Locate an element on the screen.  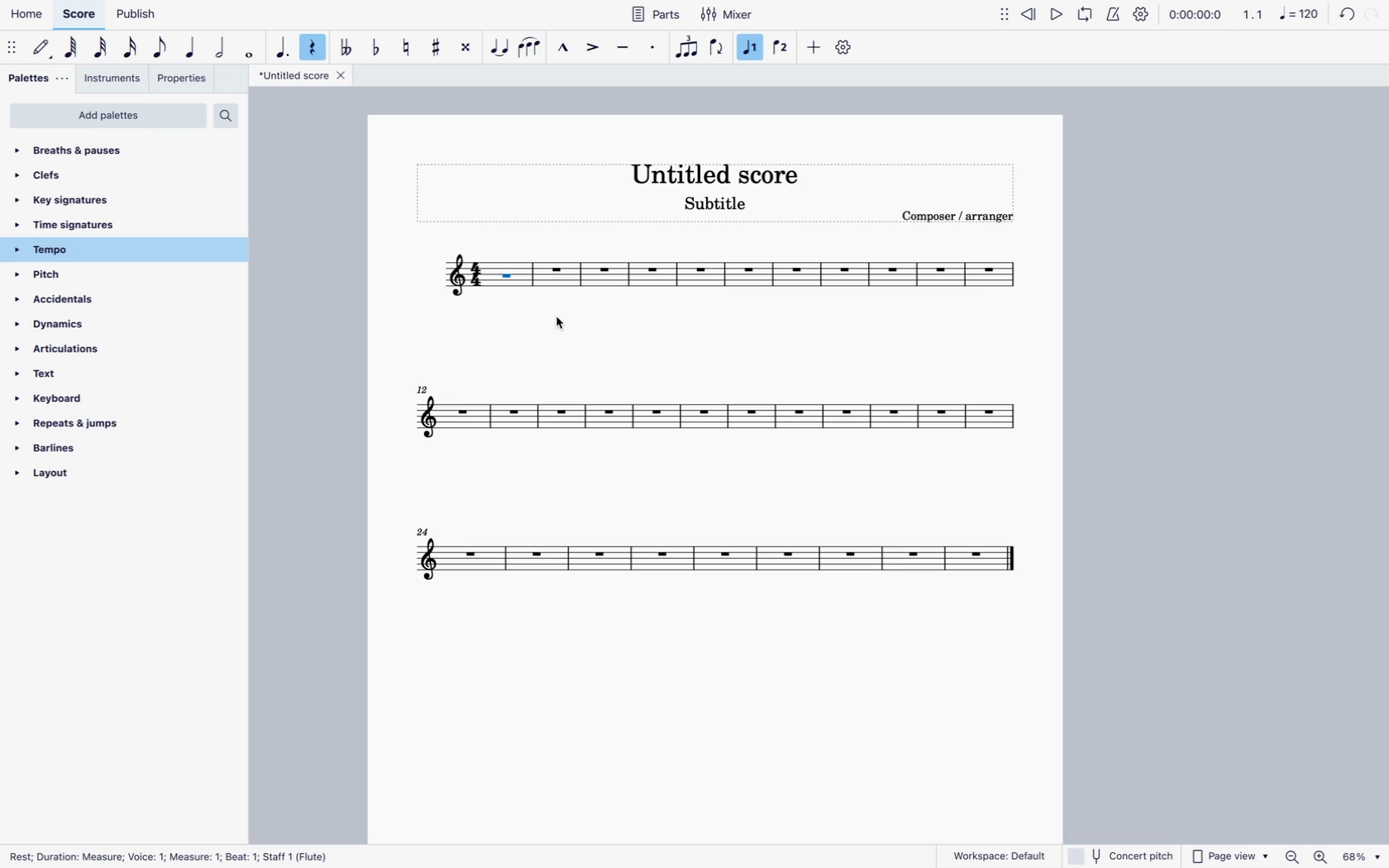
key signatures is located at coordinates (108, 198).